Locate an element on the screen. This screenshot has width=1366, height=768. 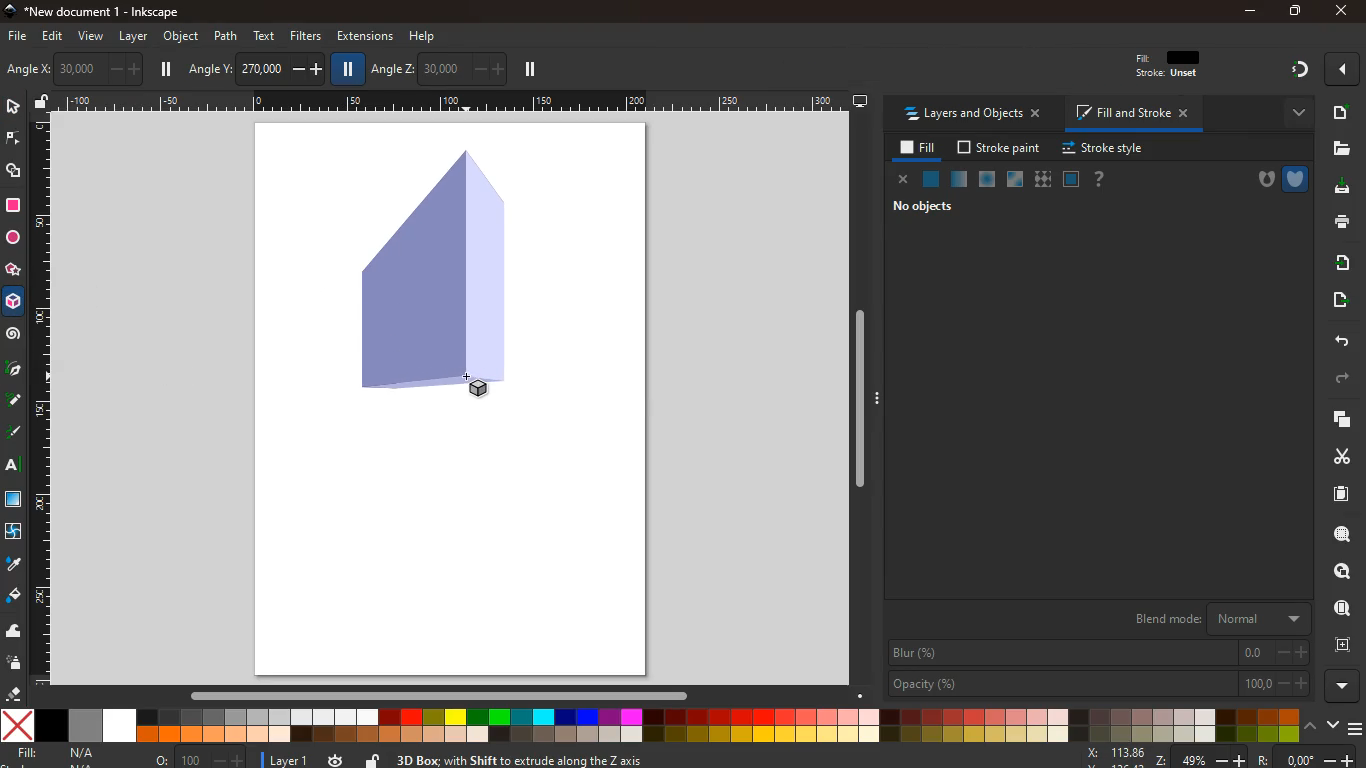
wave is located at coordinates (16, 633).